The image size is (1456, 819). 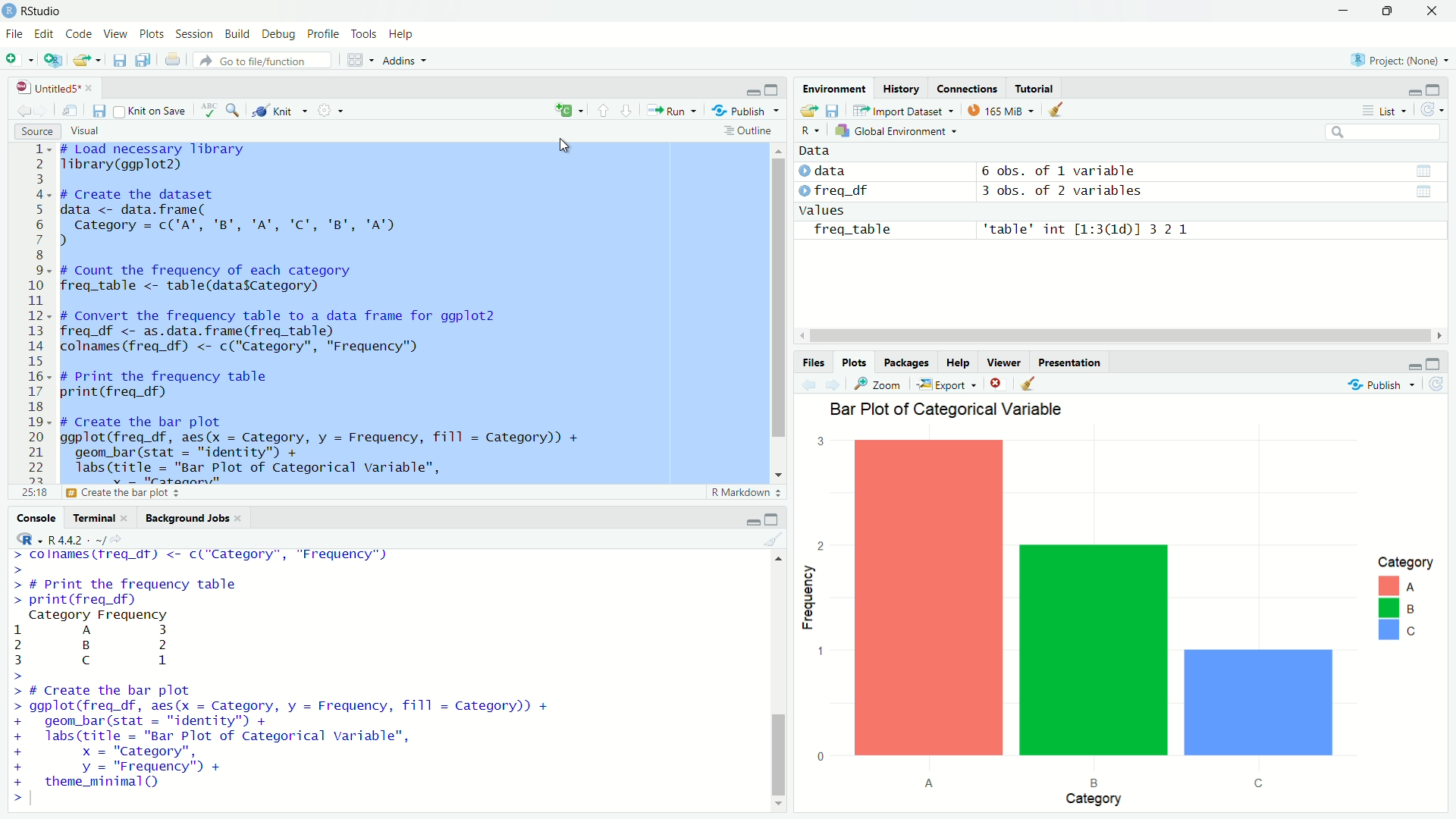 I want to click on file, so click(x=12, y=35).